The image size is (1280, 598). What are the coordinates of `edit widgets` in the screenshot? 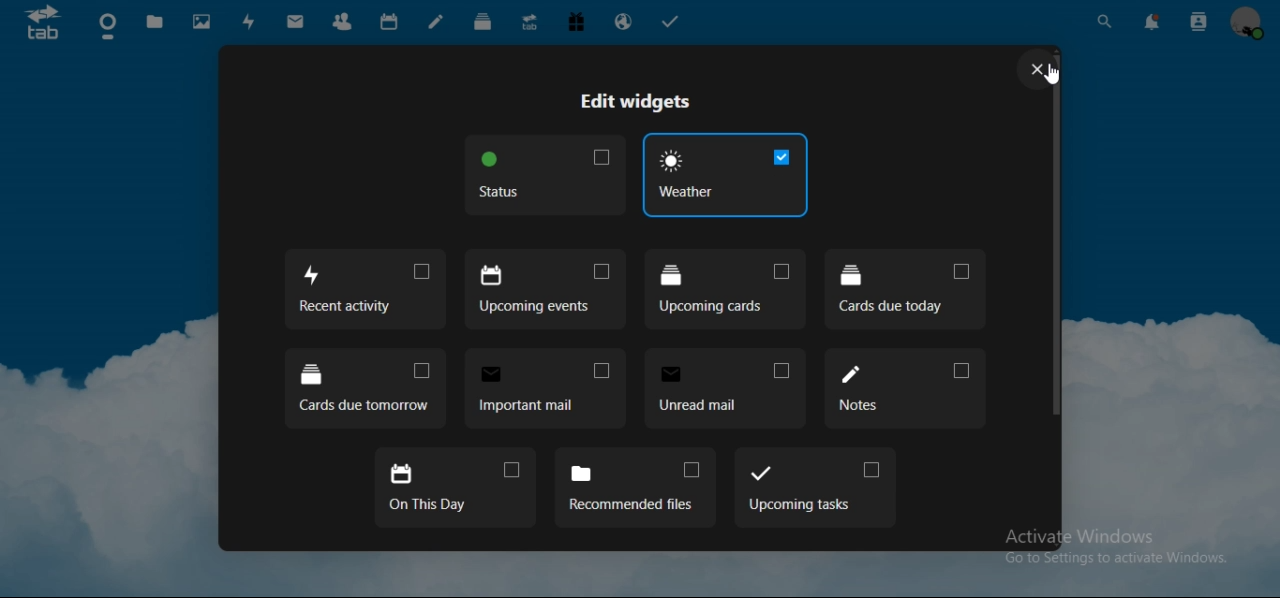 It's located at (638, 102).